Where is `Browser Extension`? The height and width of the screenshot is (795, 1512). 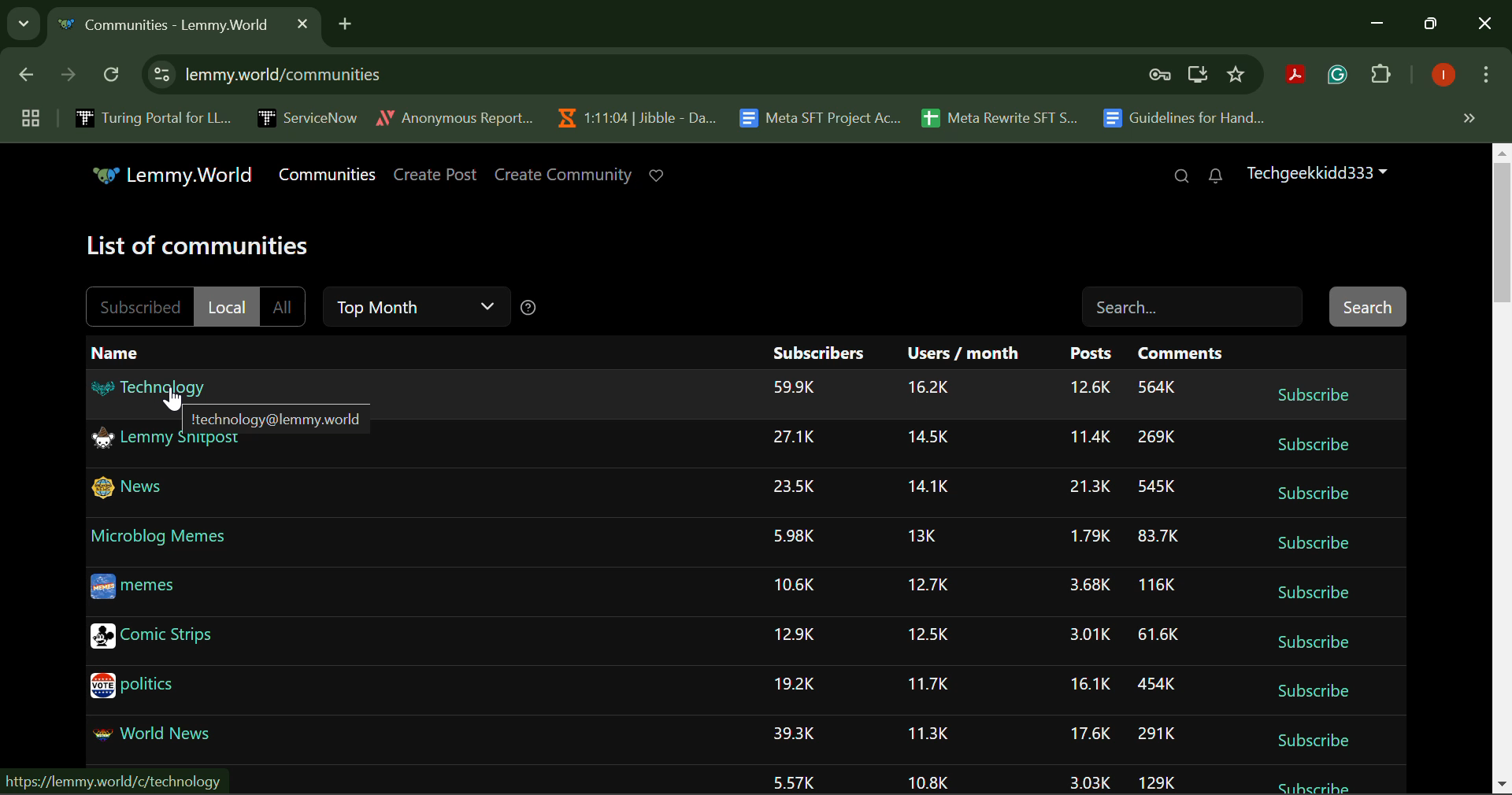
Browser Extension is located at coordinates (1341, 76).